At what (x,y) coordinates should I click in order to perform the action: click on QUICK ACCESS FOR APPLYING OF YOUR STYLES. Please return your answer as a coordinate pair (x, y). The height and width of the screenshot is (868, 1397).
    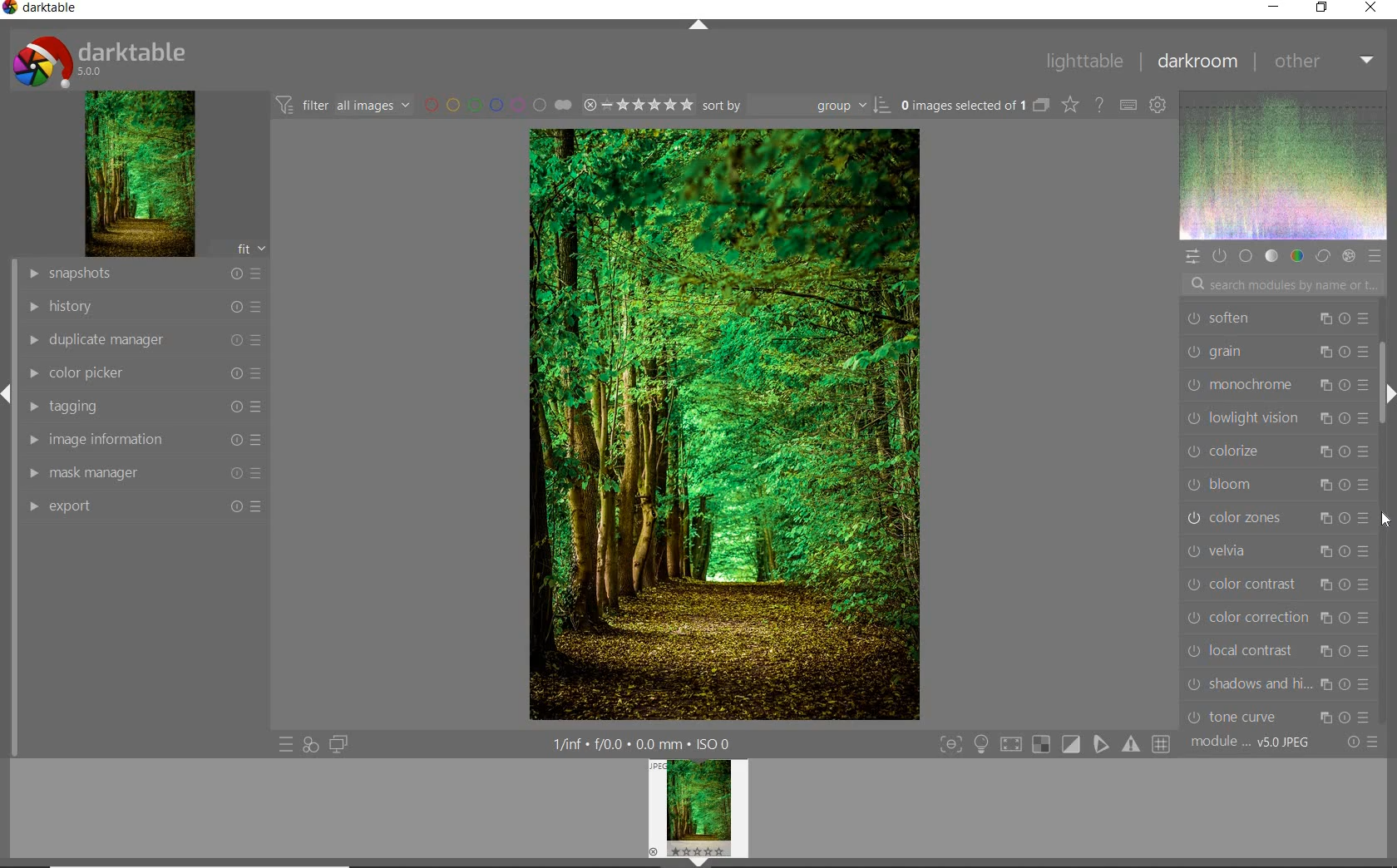
    Looking at the image, I should click on (309, 745).